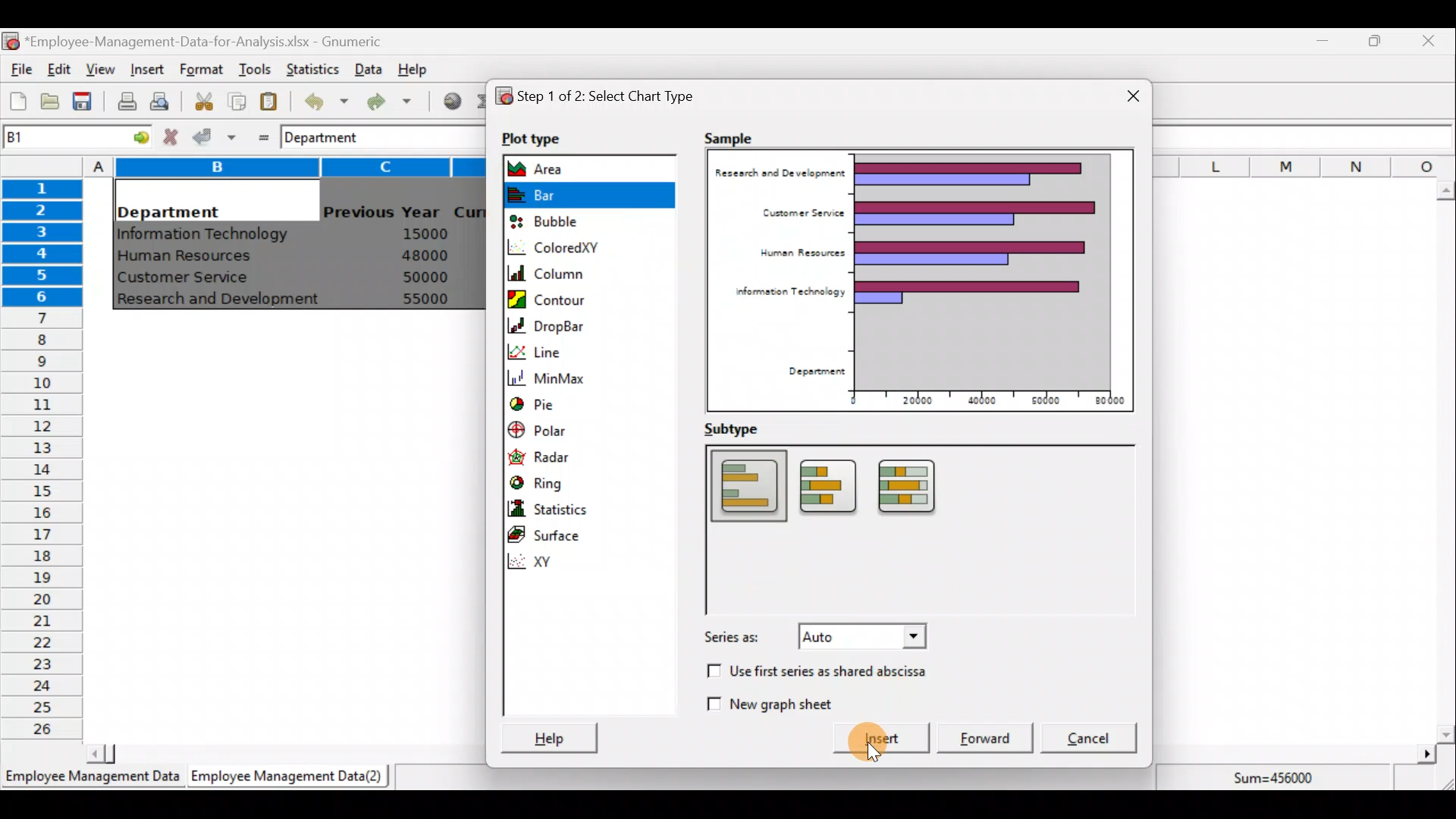 This screenshot has width=1456, height=819. Describe the element at coordinates (979, 400) in the screenshot. I see `40000` at that location.